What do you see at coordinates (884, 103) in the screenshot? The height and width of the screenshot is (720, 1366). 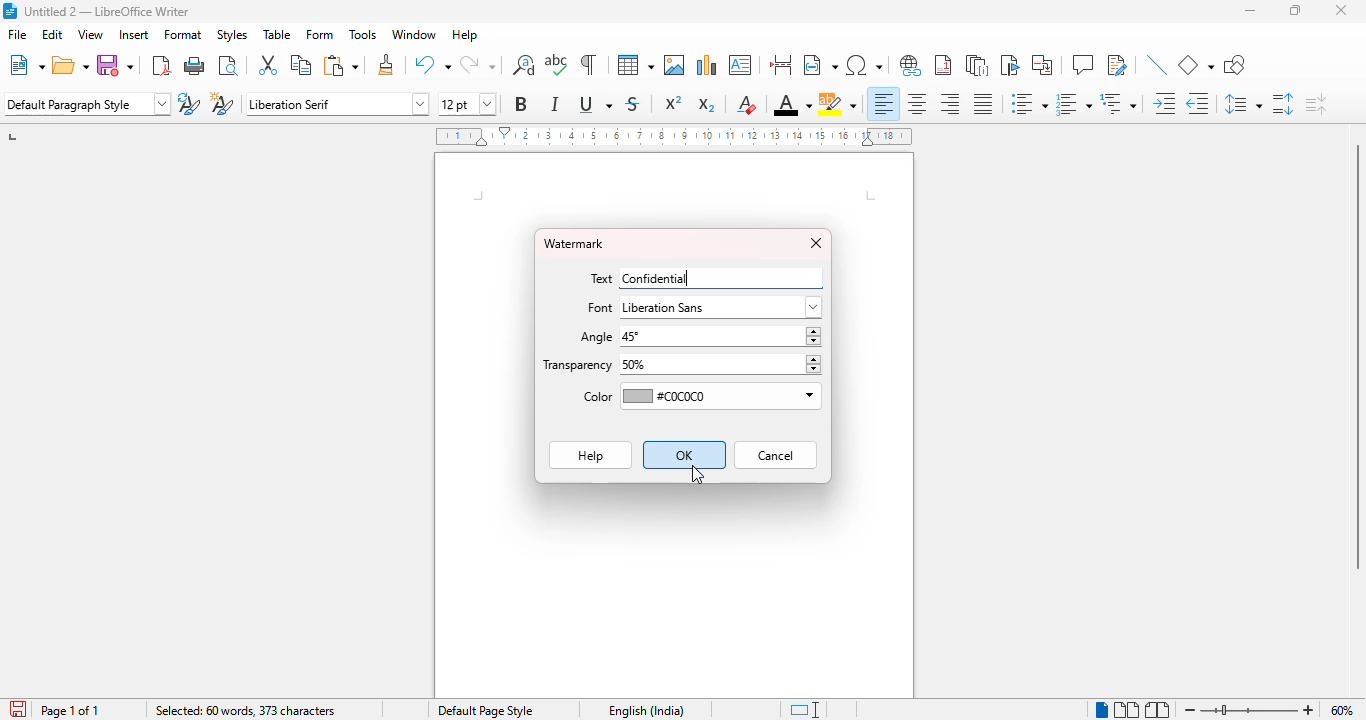 I see `align left` at bounding box center [884, 103].